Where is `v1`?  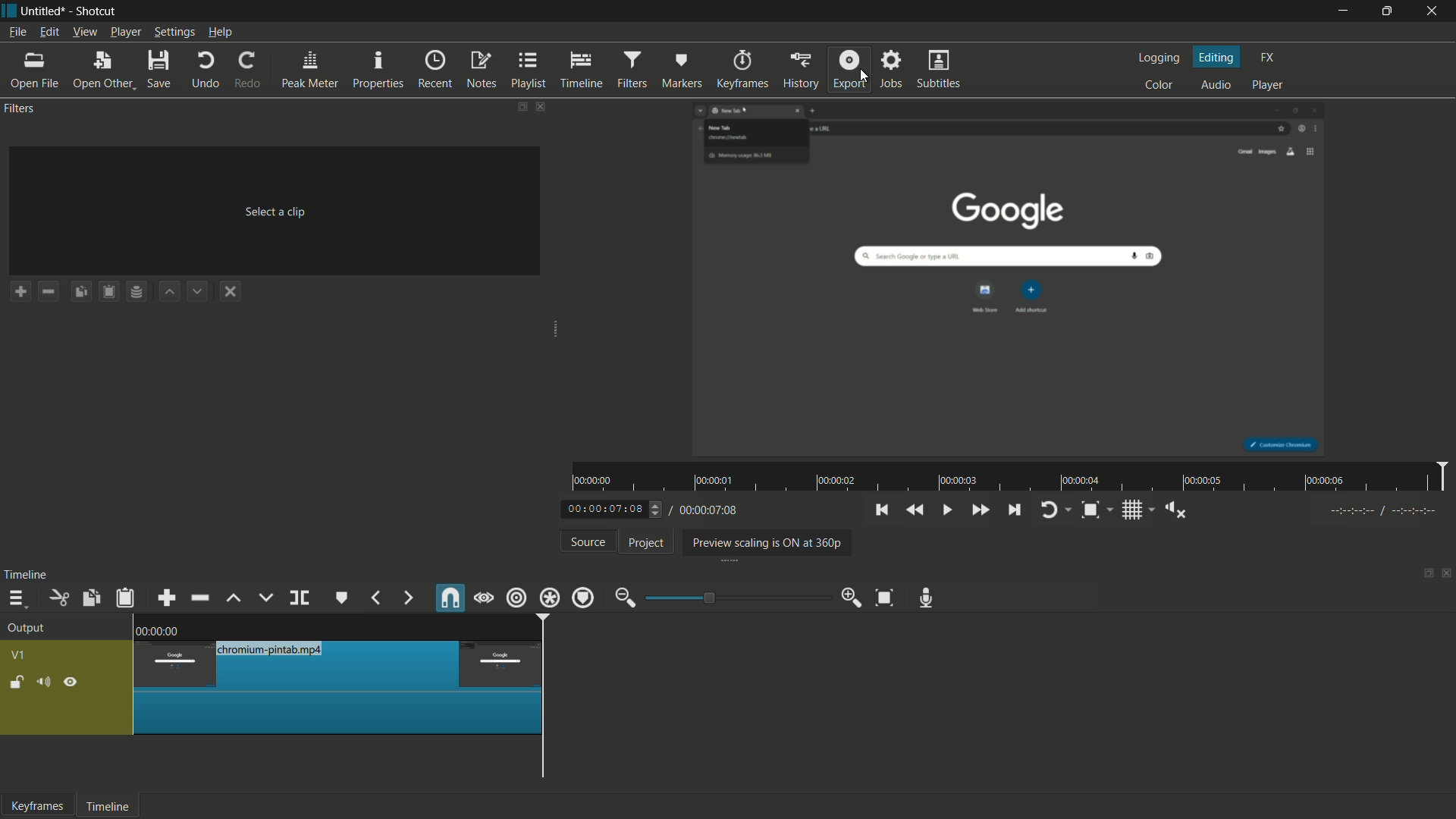 v1 is located at coordinates (20, 657).